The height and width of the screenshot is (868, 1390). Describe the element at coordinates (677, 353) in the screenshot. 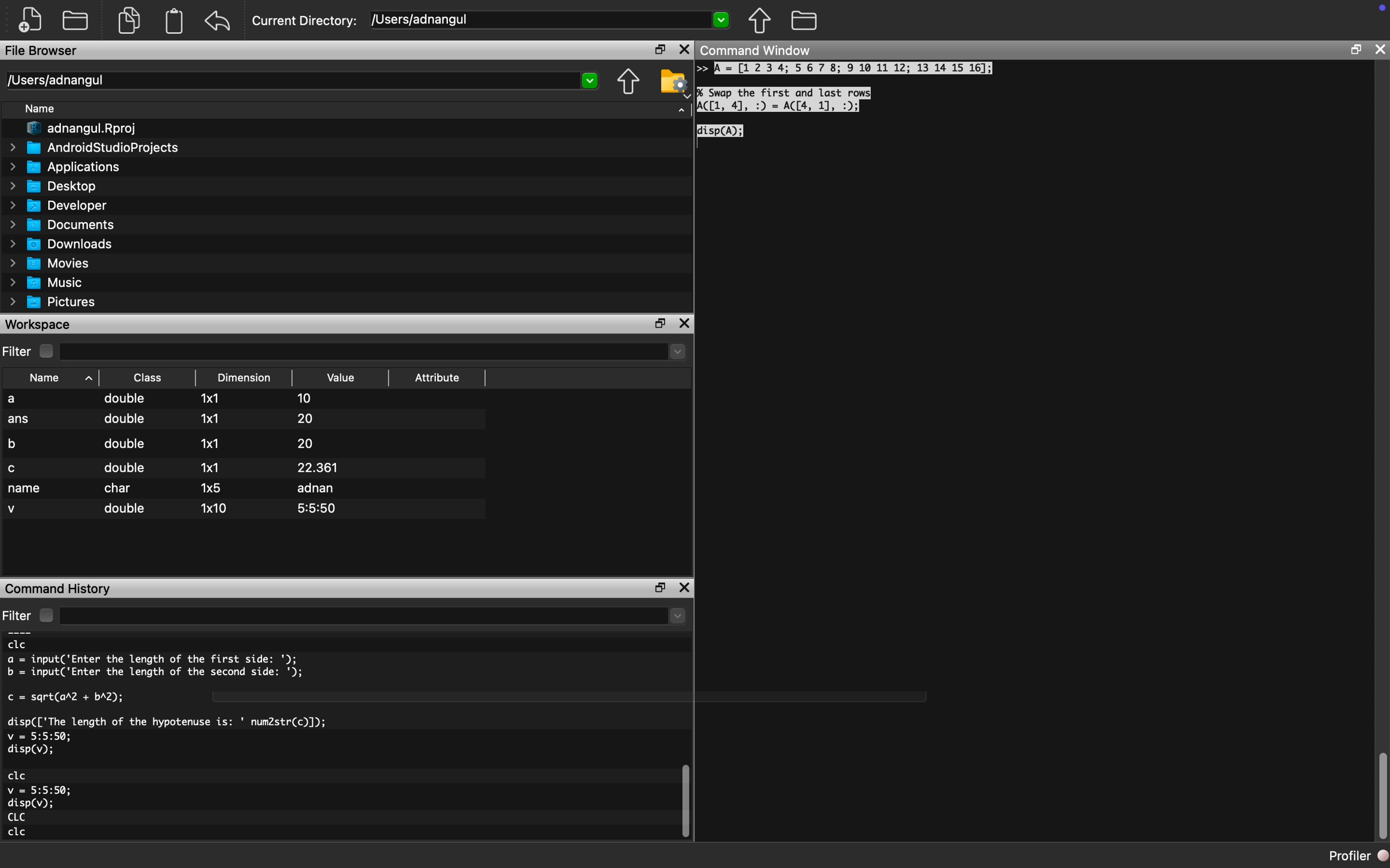

I see `Dropdown` at that location.